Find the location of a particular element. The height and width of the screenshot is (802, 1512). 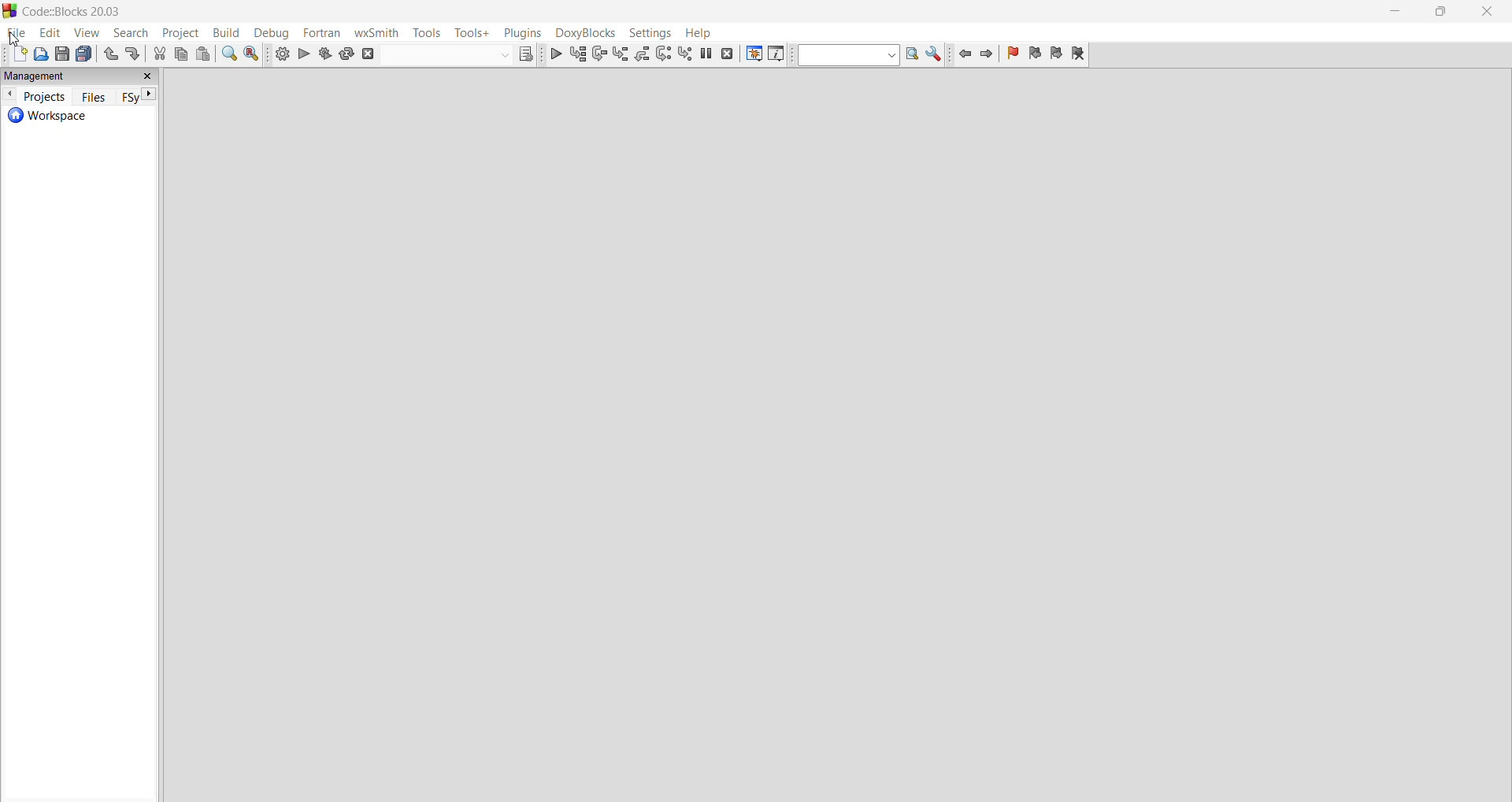

edit is located at coordinates (52, 33).